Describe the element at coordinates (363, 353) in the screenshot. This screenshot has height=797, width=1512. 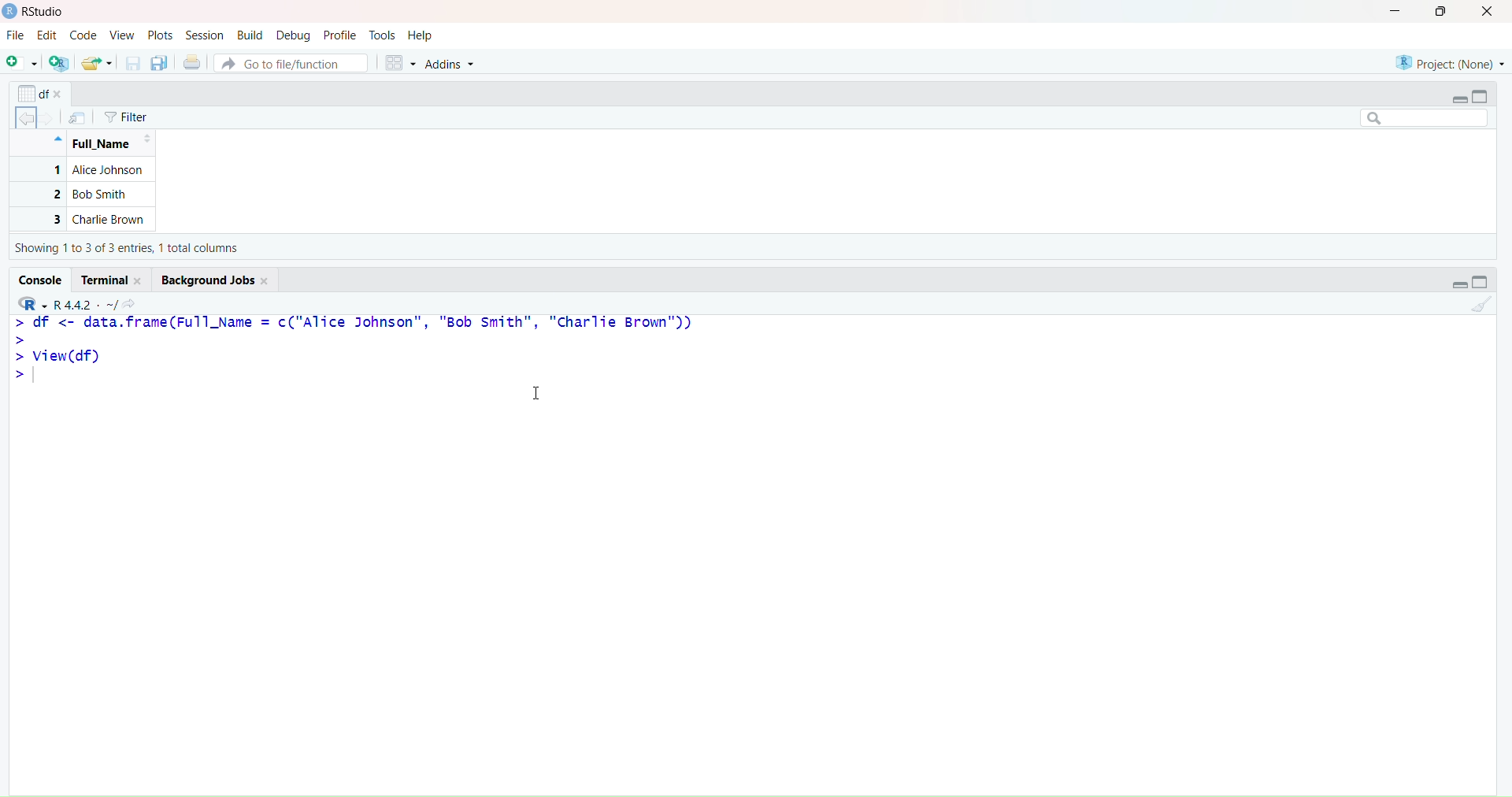
I see `2 dF <= data.frameiruli_Name = C( Alice Jonson , BOL Smith, Charlie sirown J)
>

> View(df)

>|` at that location.